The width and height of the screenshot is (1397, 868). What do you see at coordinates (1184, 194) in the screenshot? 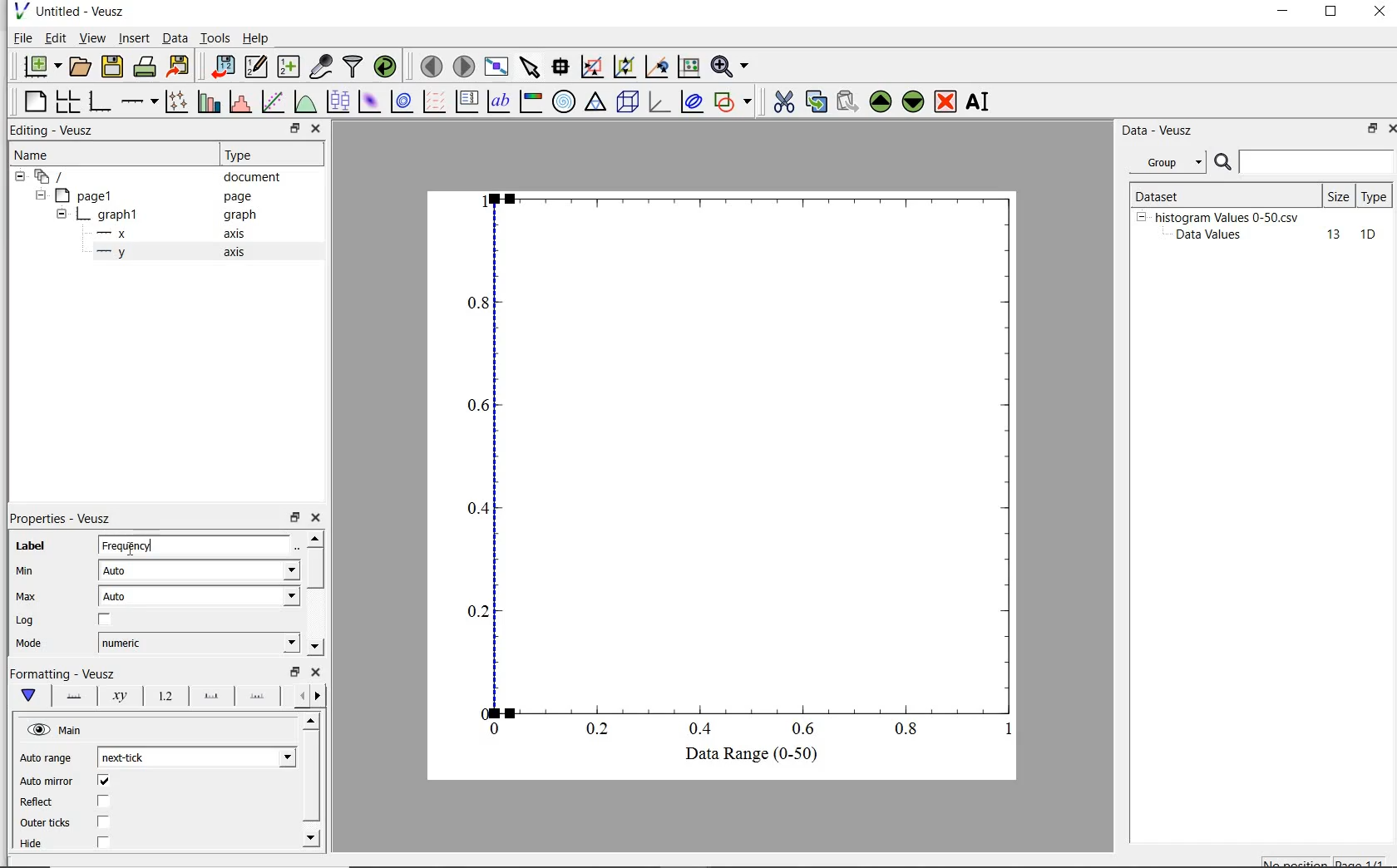
I see `Dataset` at bounding box center [1184, 194].